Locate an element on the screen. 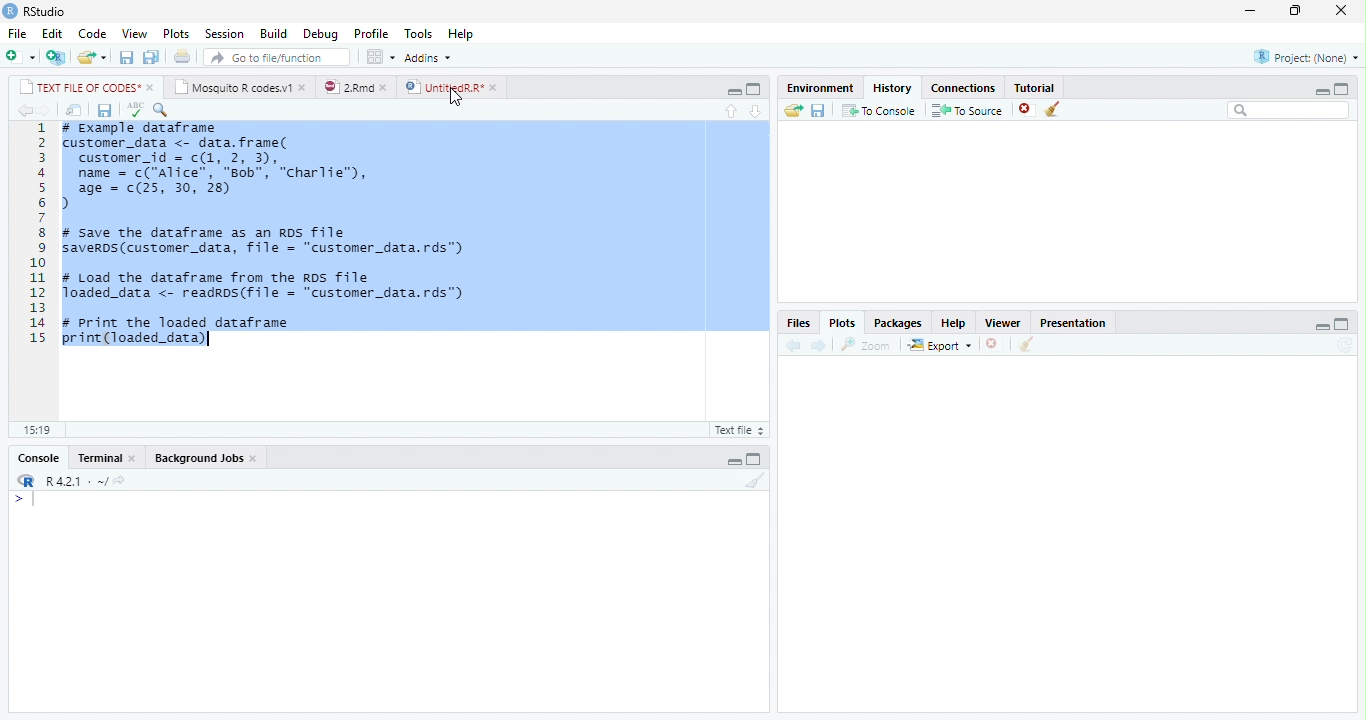 The width and height of the screenshot is (1366, 720). Edit is located at coordinates (52, 34).